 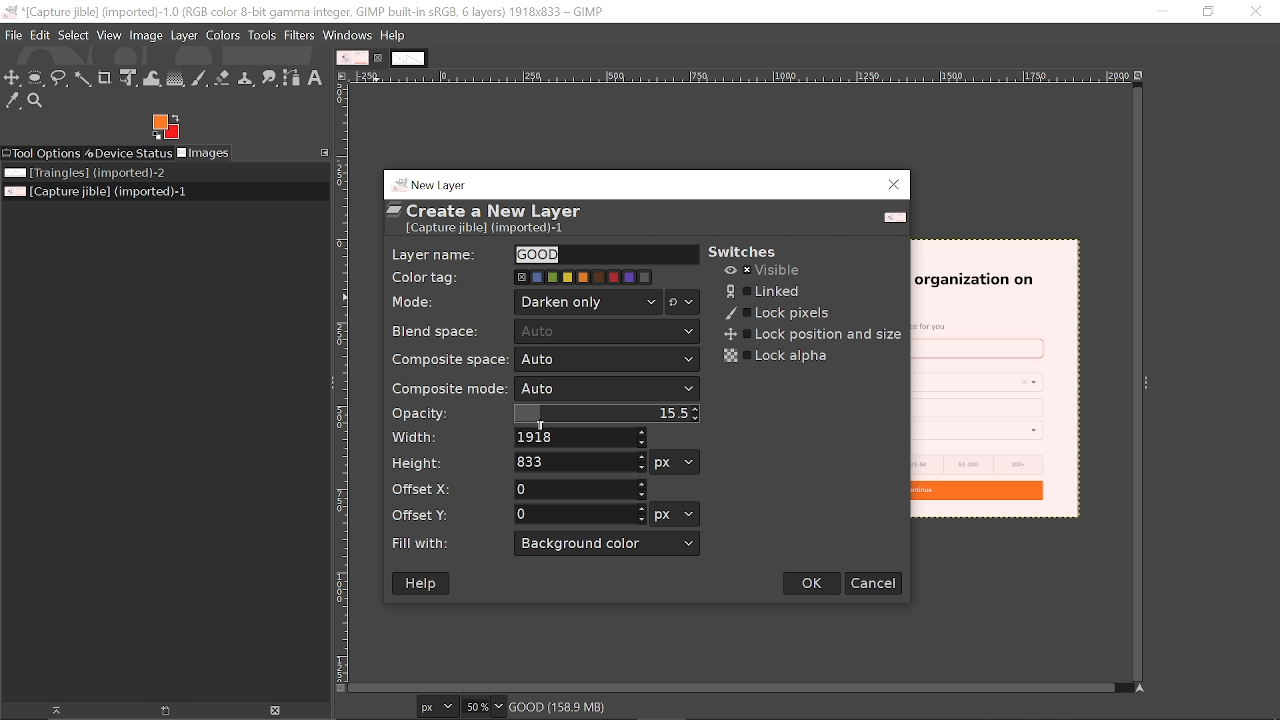 What do you see at coordinates (430, 544) in the screenshot?
I see `Fill with:` at bounding box center [430, 544].